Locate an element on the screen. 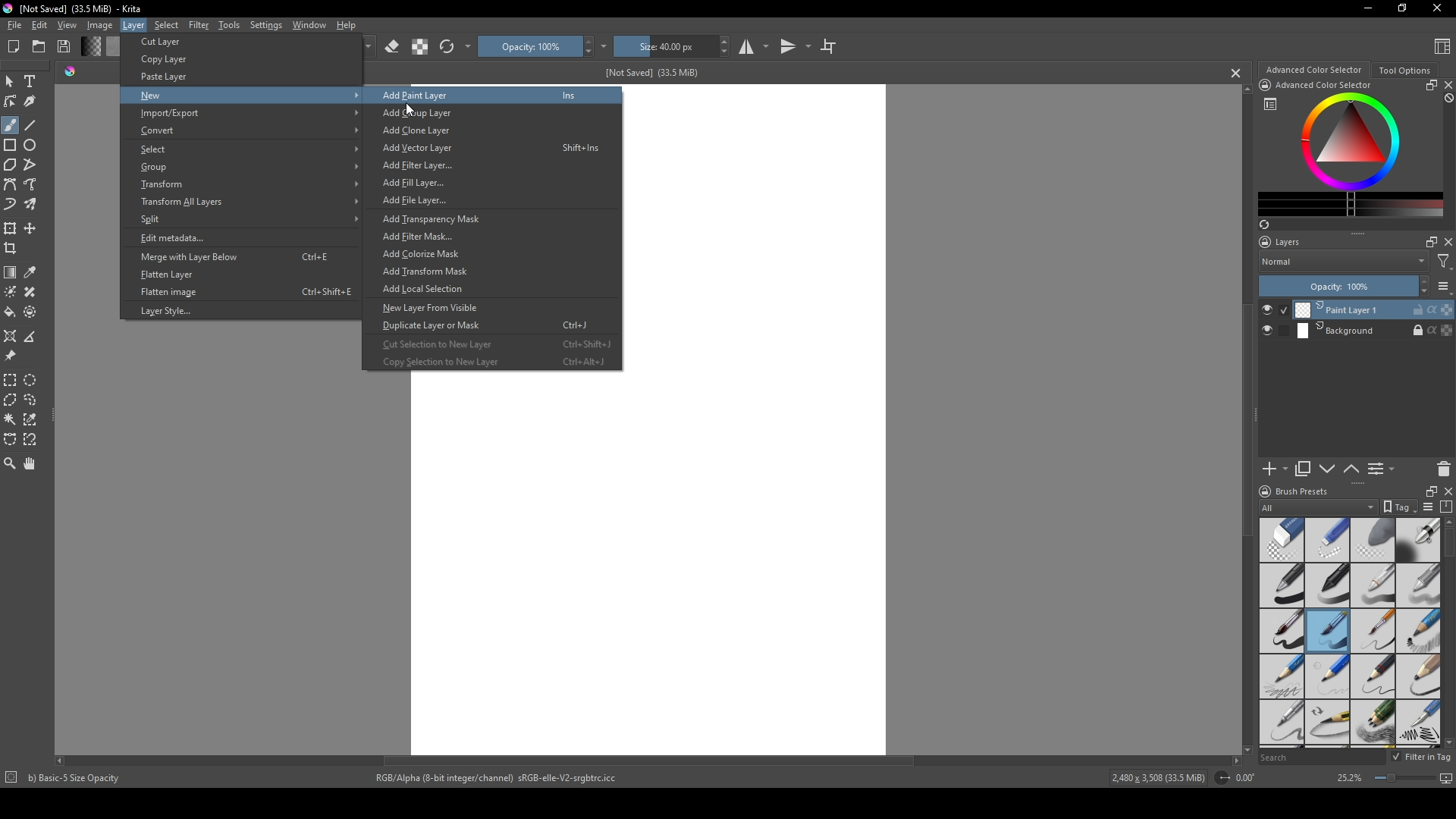  thick brush is located at coordinates (1282, 632).